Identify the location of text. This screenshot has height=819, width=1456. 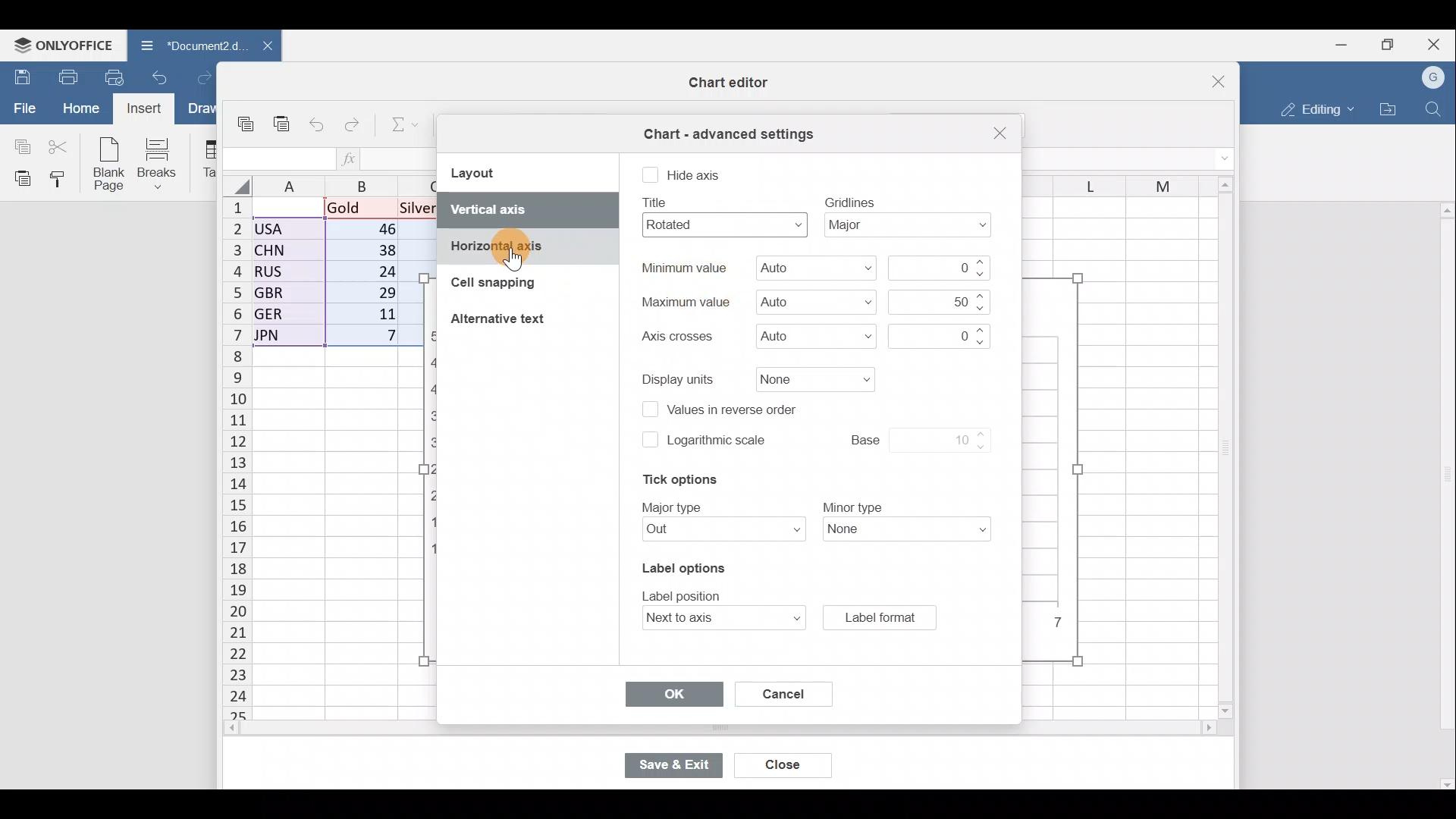
(686, 594).